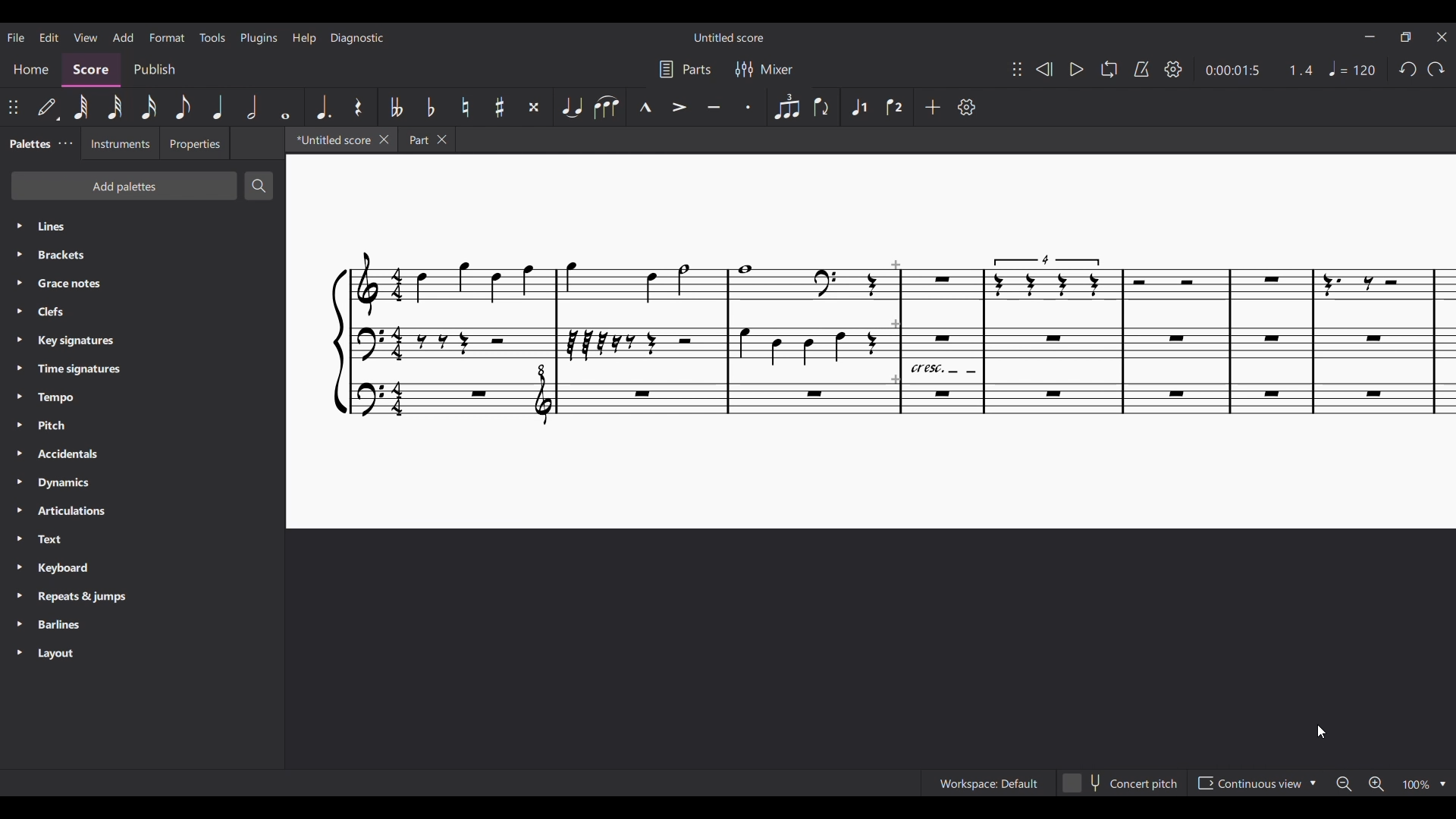 This screenshot has height=819, width=1456. Describe the element at coordinates (466, 107) in the screenshot. I see `Toggle natural` at that location.